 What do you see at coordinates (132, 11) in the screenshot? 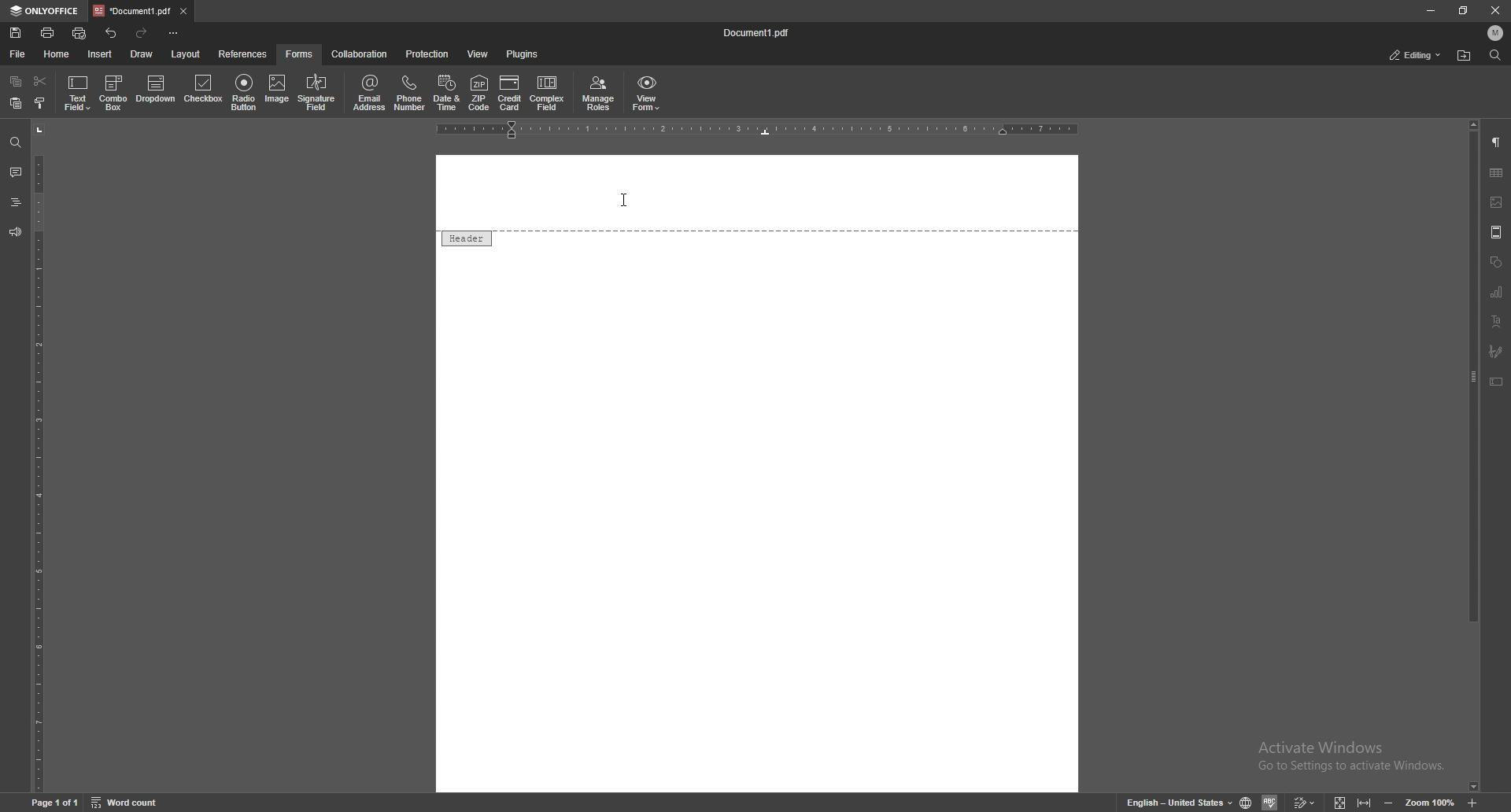
I see `tab` at bounding box center [132, 11].